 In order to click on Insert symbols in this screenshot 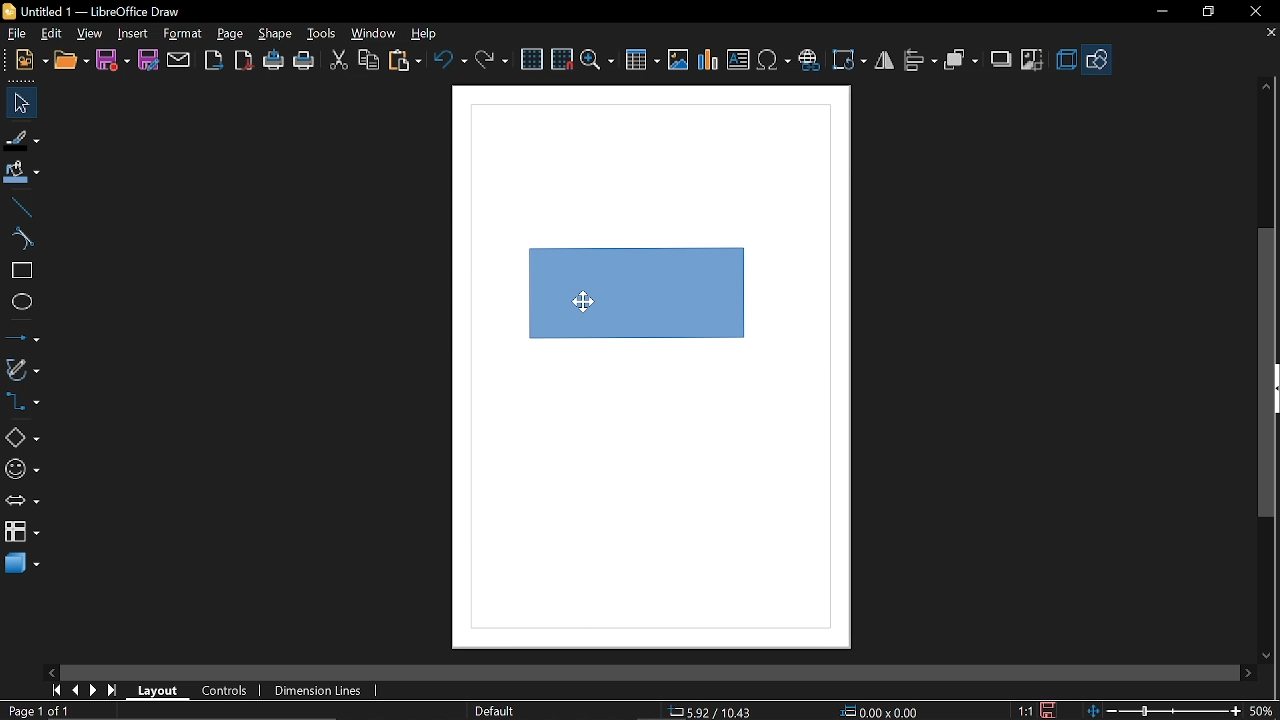, I will do `click(775, 61)`.